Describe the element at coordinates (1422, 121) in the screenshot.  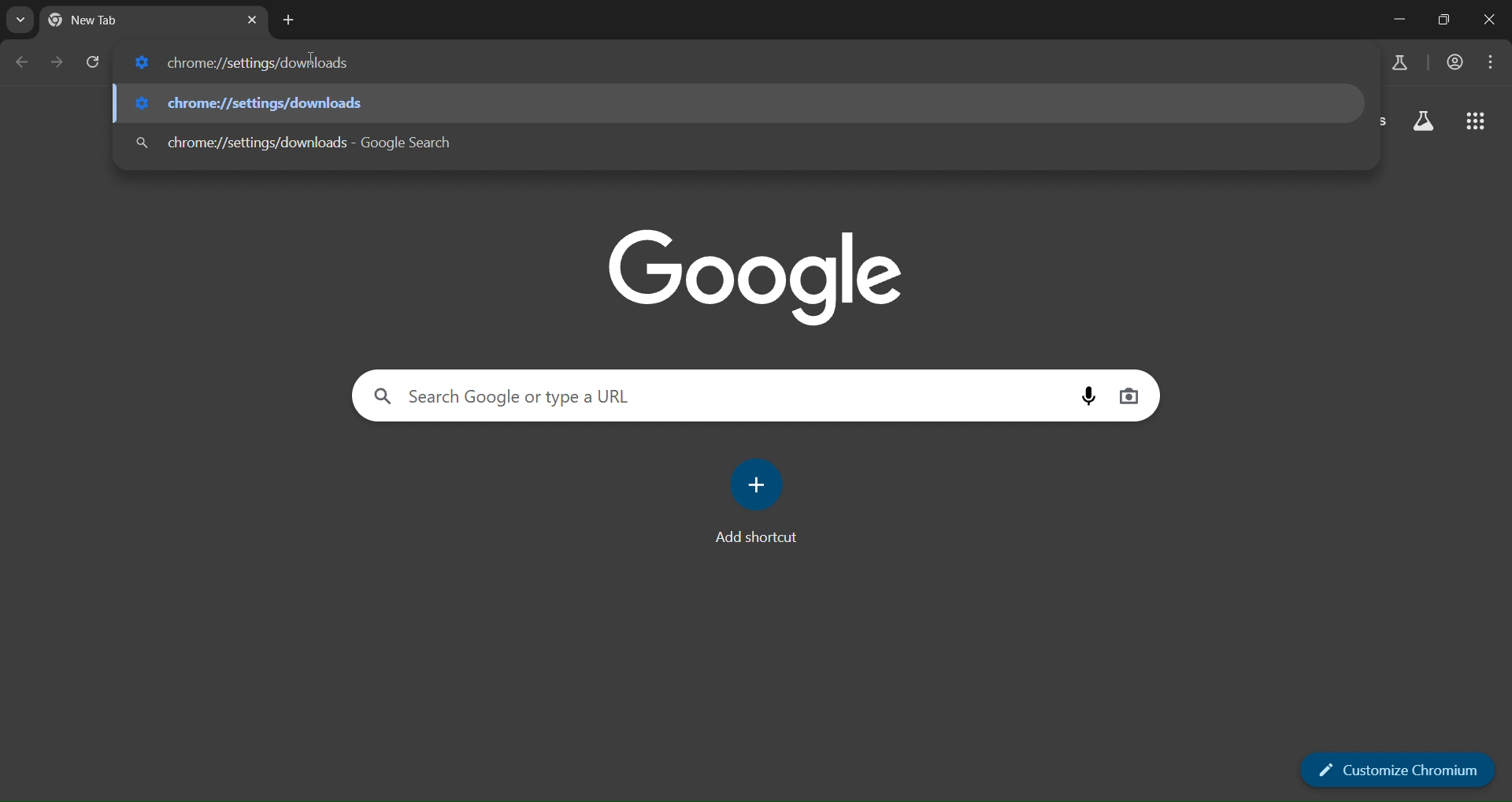
I see `search labs` at that location.